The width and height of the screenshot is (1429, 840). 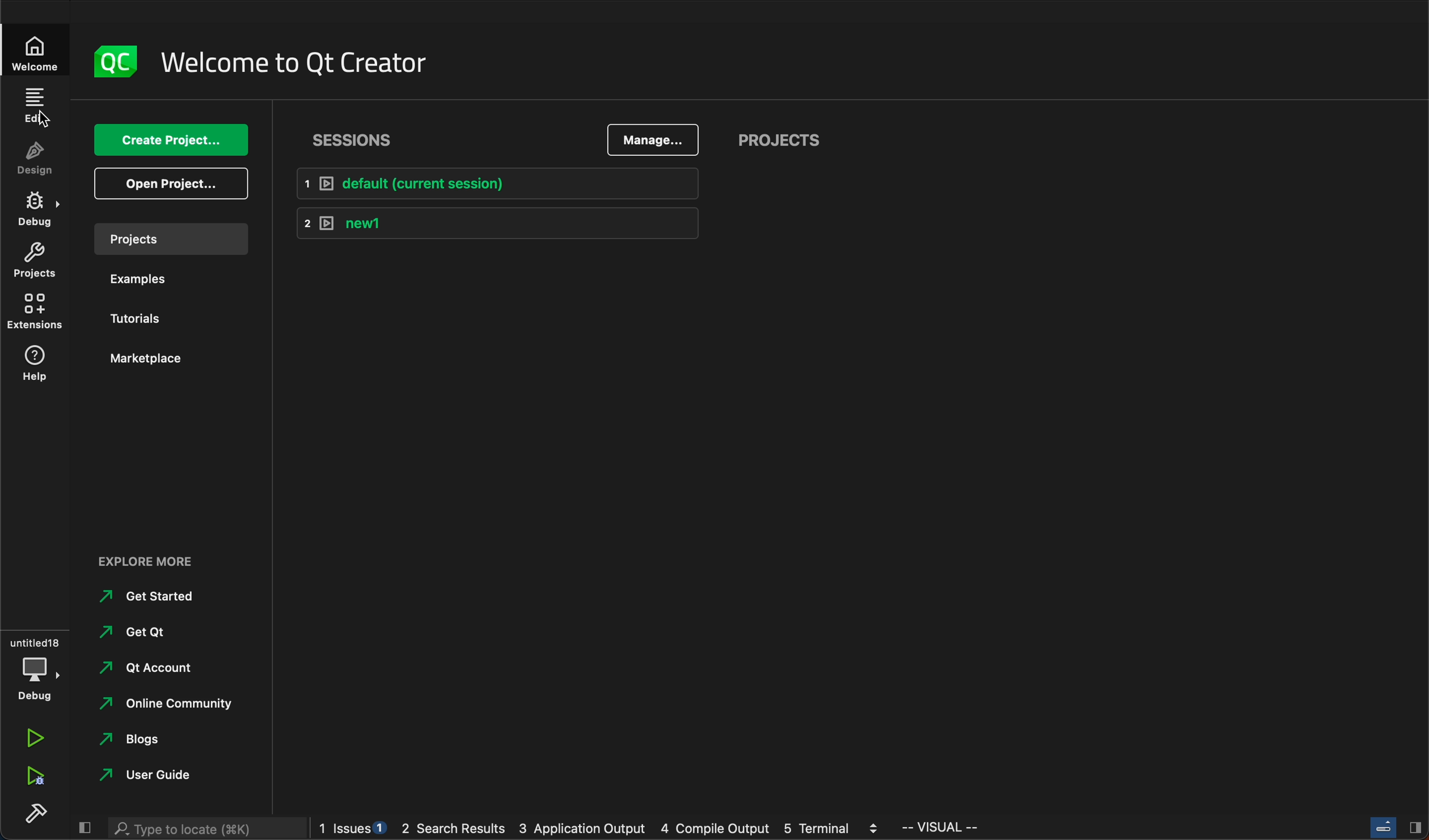 I want to click on started, so click(x=154, y=595).